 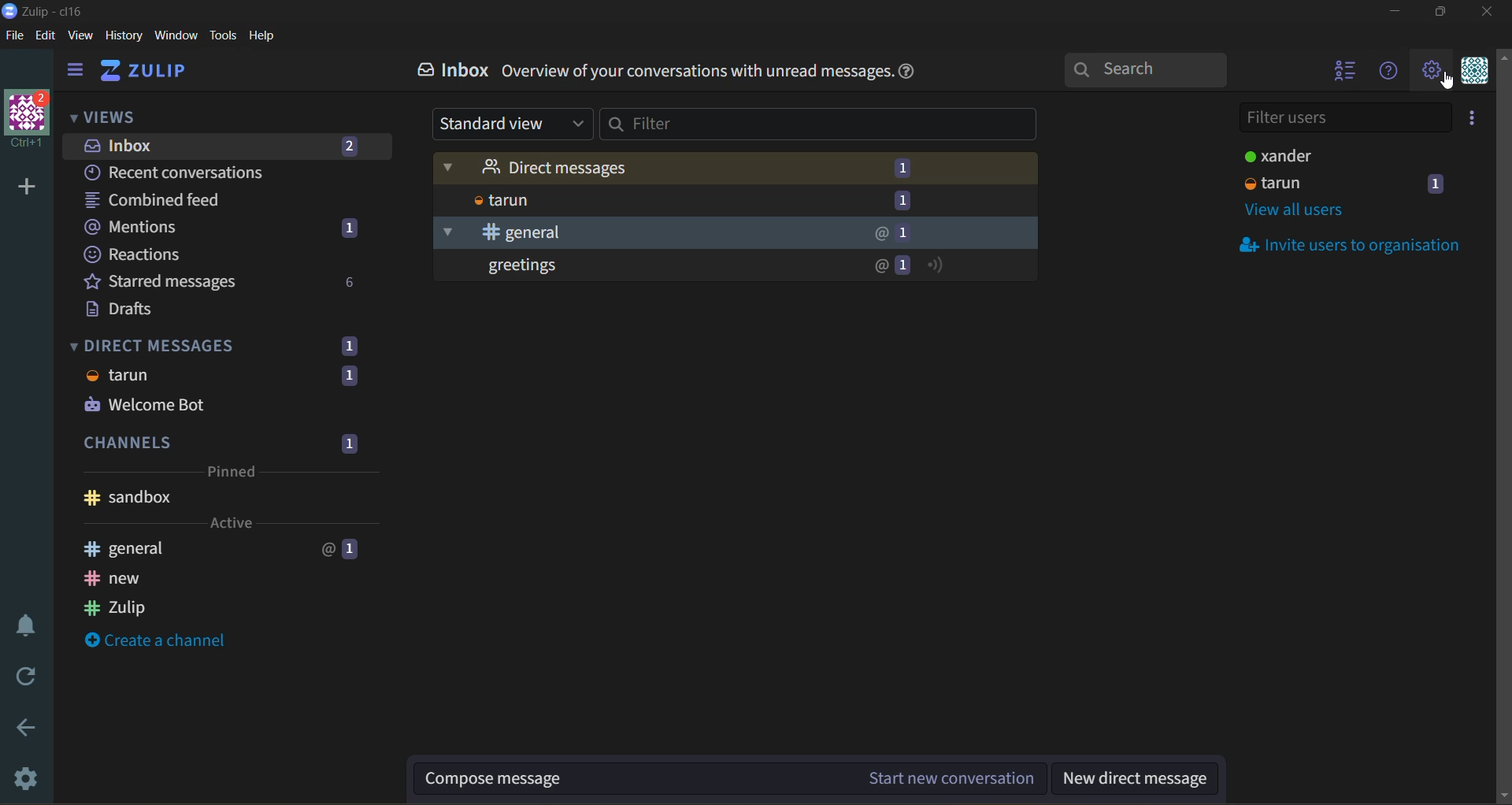 What do you see at coordinates (46, 36) in the screenshot?
I see `edit` at bounding box center [46, 36].